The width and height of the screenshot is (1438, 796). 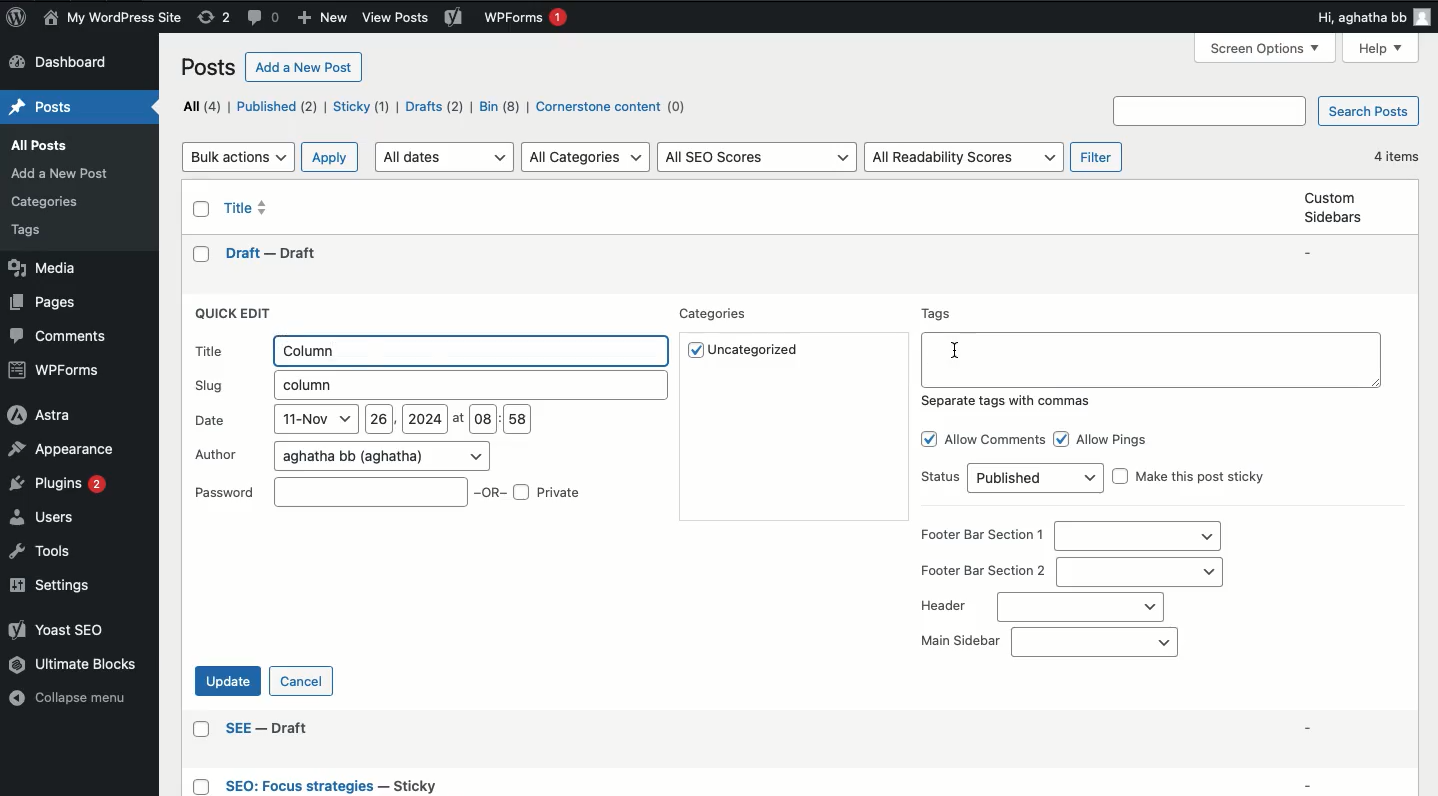 I want to click on Uncategorized, so click(x=747, y=350).